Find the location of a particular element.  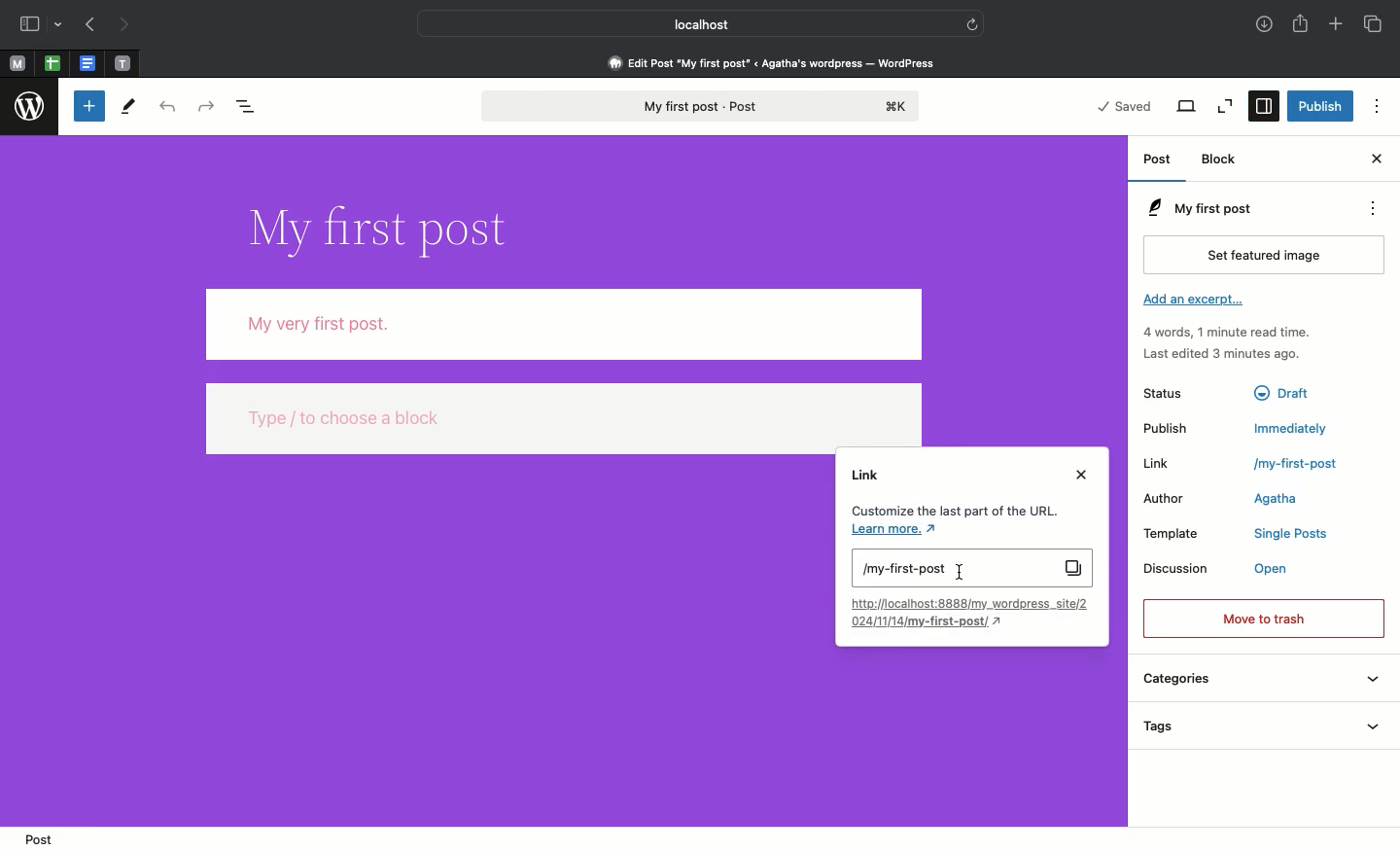

Template is located at coordinates (1174, 533).